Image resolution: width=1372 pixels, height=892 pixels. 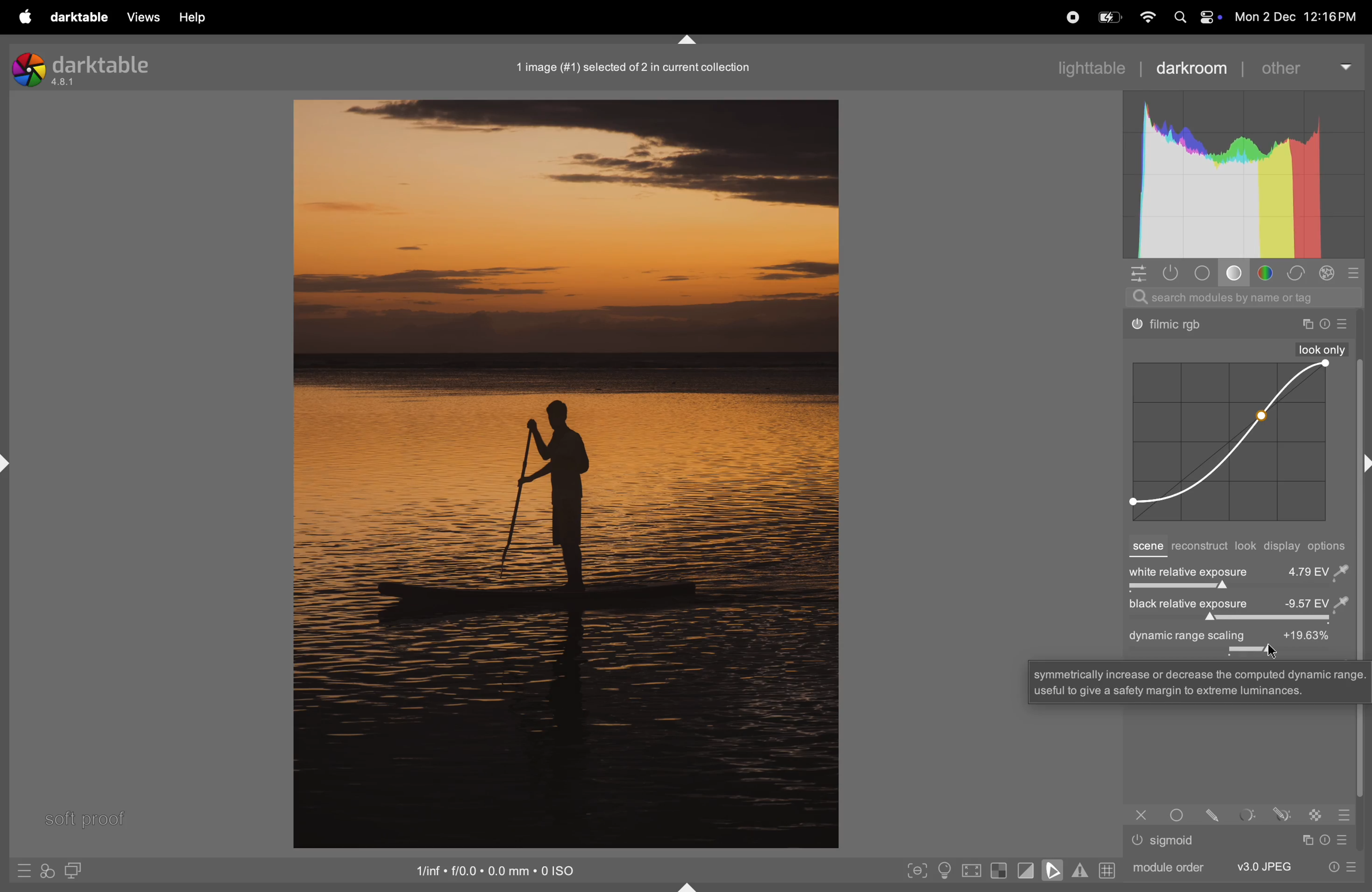 I want to click on v3 jpeg, so click(x=1264, y=866).